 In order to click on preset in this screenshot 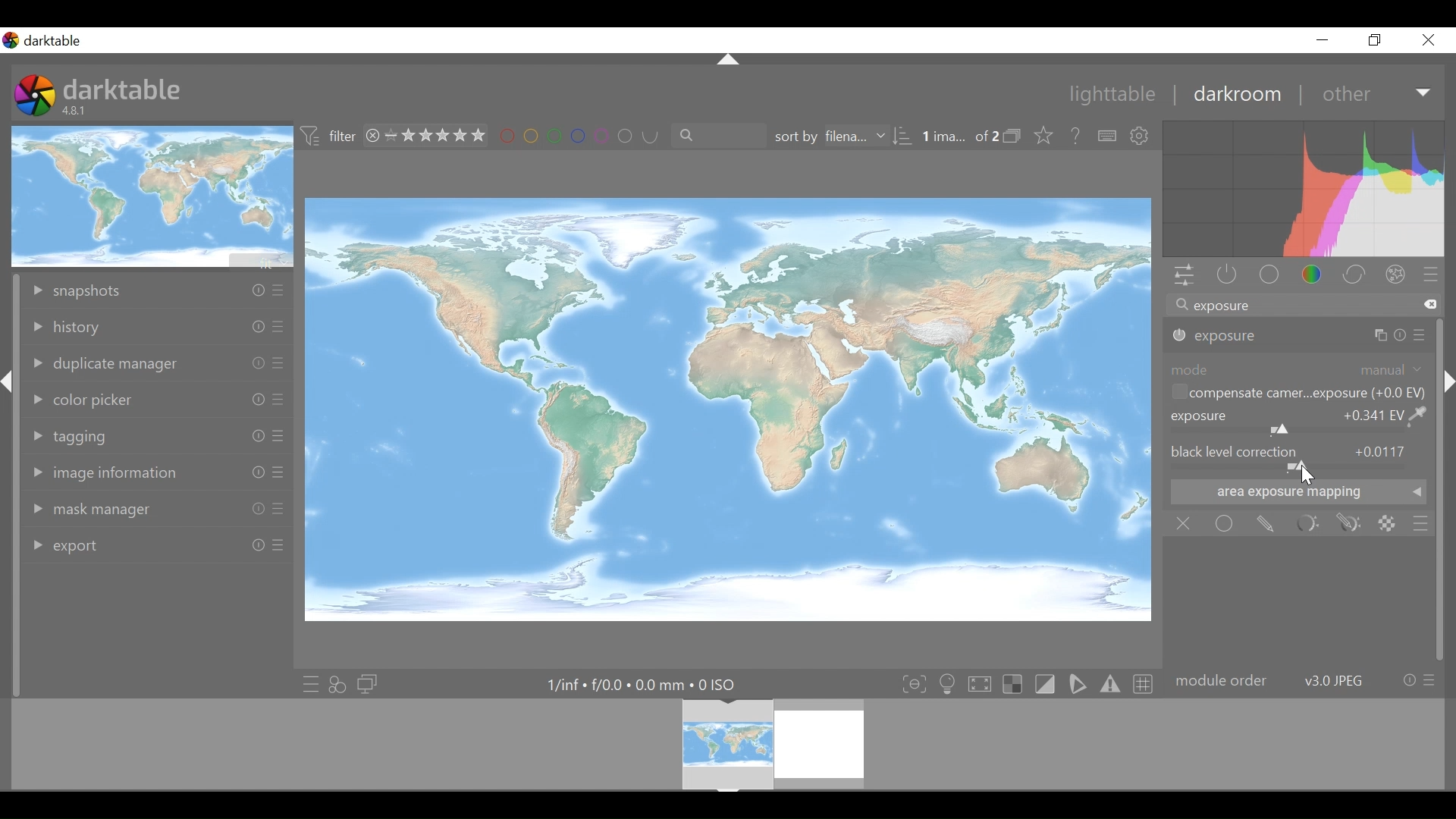, I will do `click(1431, 274)`.